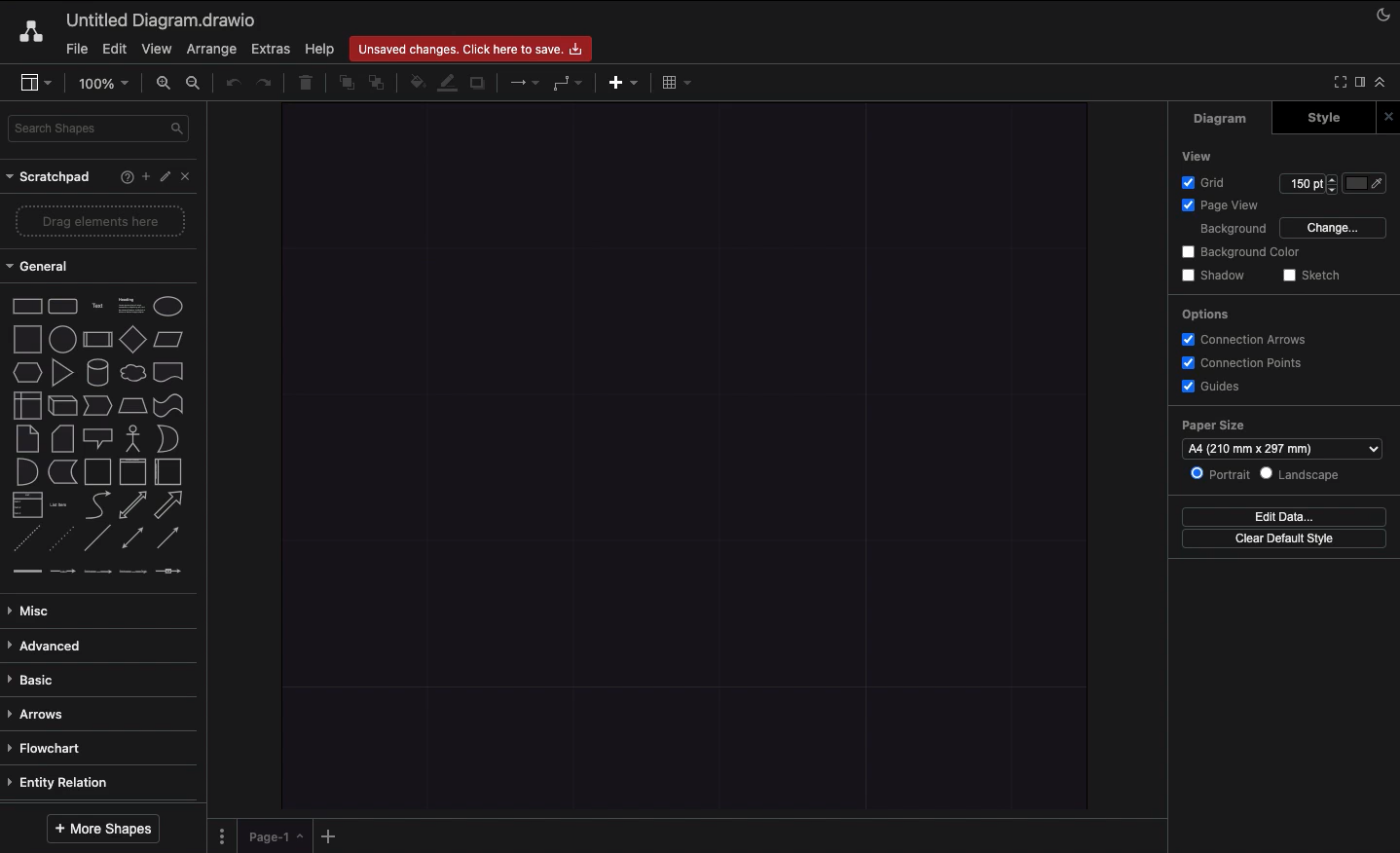  What do you see at coordinates (101, 220) in the screenshot?
I see `Drag elements here` at bounding box center [101, 220].